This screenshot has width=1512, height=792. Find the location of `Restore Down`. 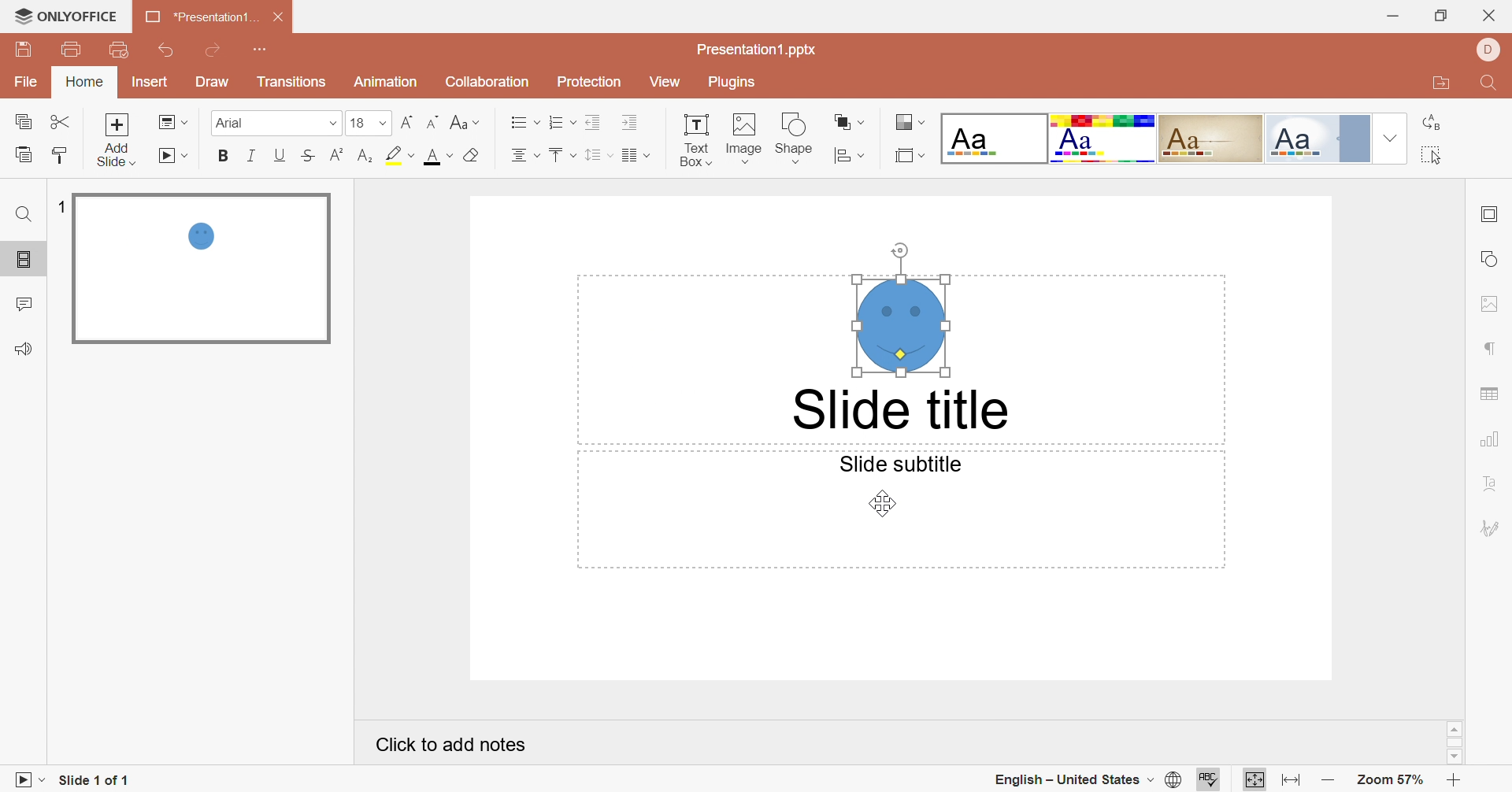

Restore Down is located at coordinates (1440, 18).